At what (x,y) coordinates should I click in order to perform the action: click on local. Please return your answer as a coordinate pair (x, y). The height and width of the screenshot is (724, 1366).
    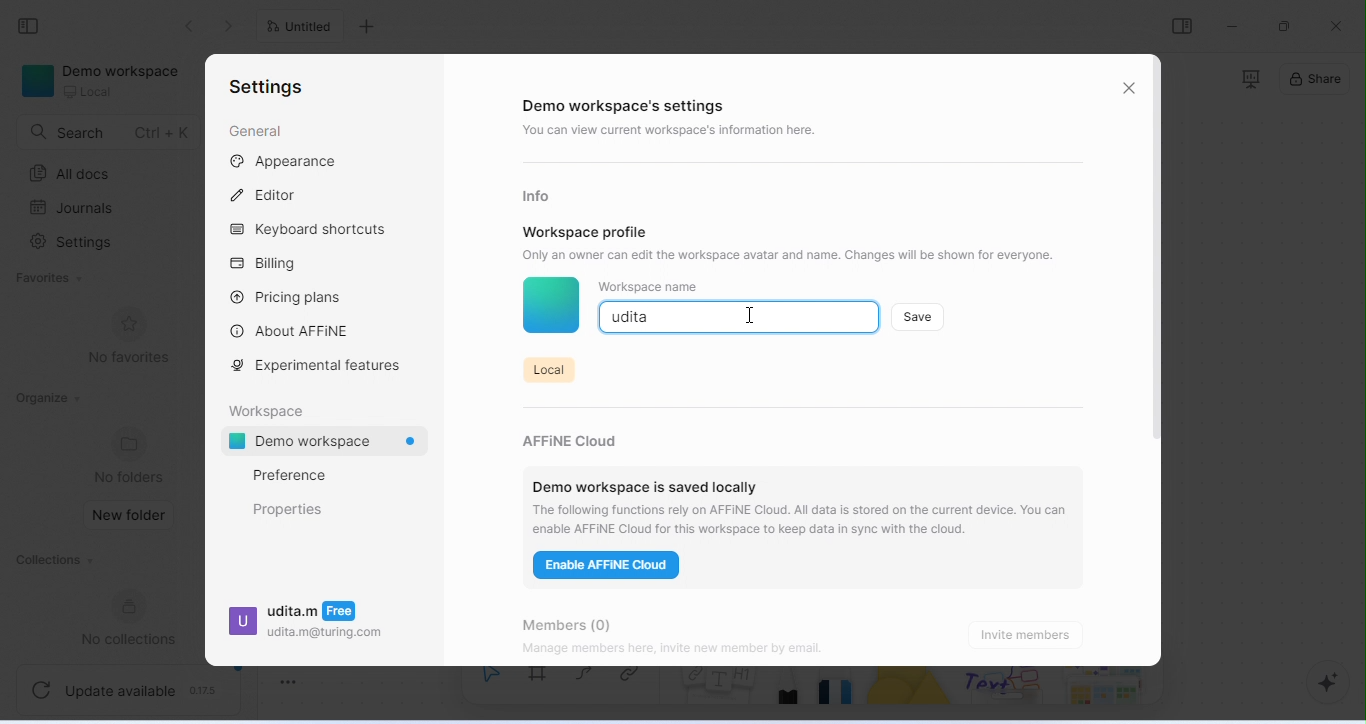
    Looking at the image, I should click on (547, 368).